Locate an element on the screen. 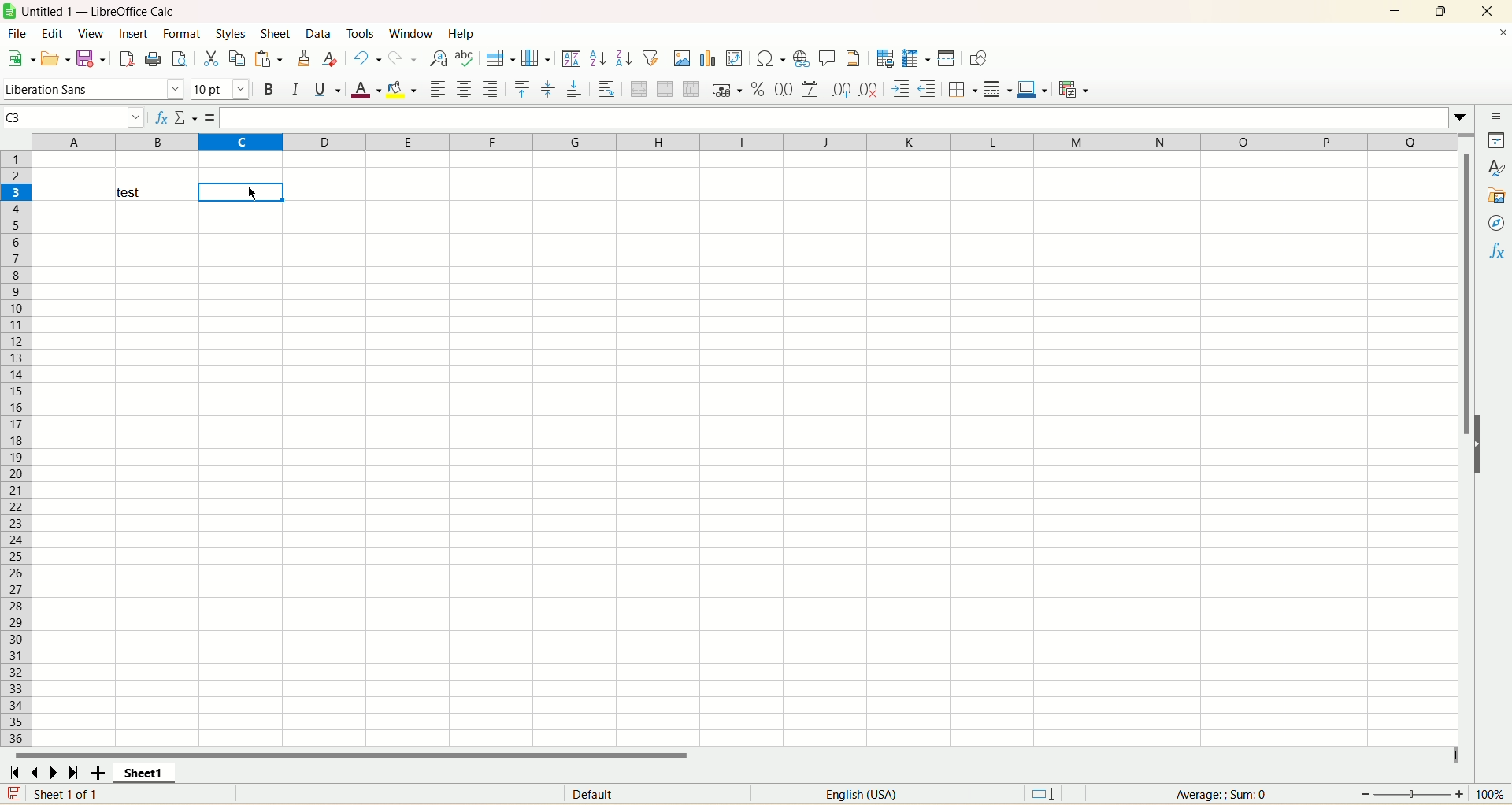  insert symbol is located at coordinates (769, 59).